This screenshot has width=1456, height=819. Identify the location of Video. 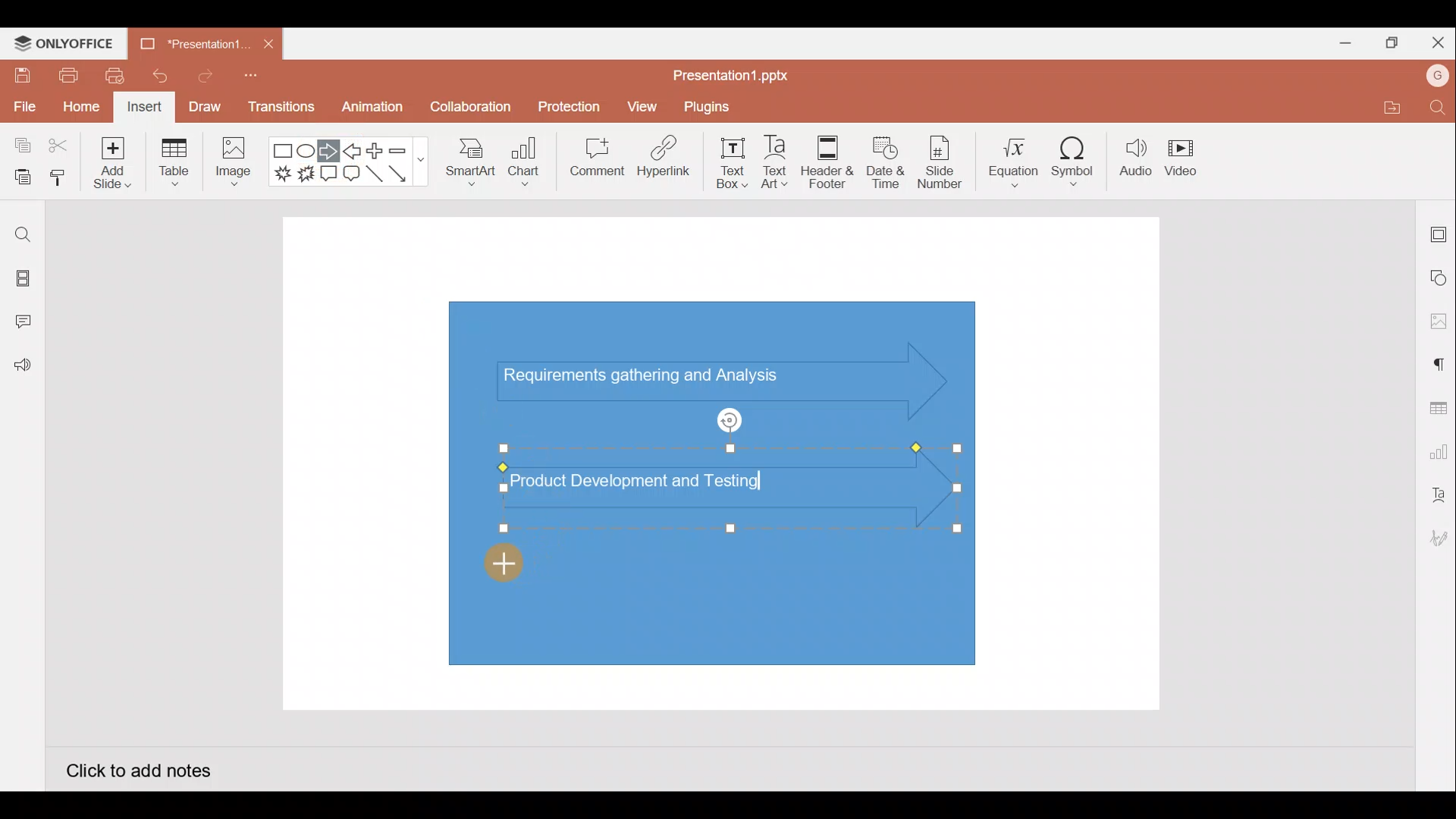
(1183, 155).